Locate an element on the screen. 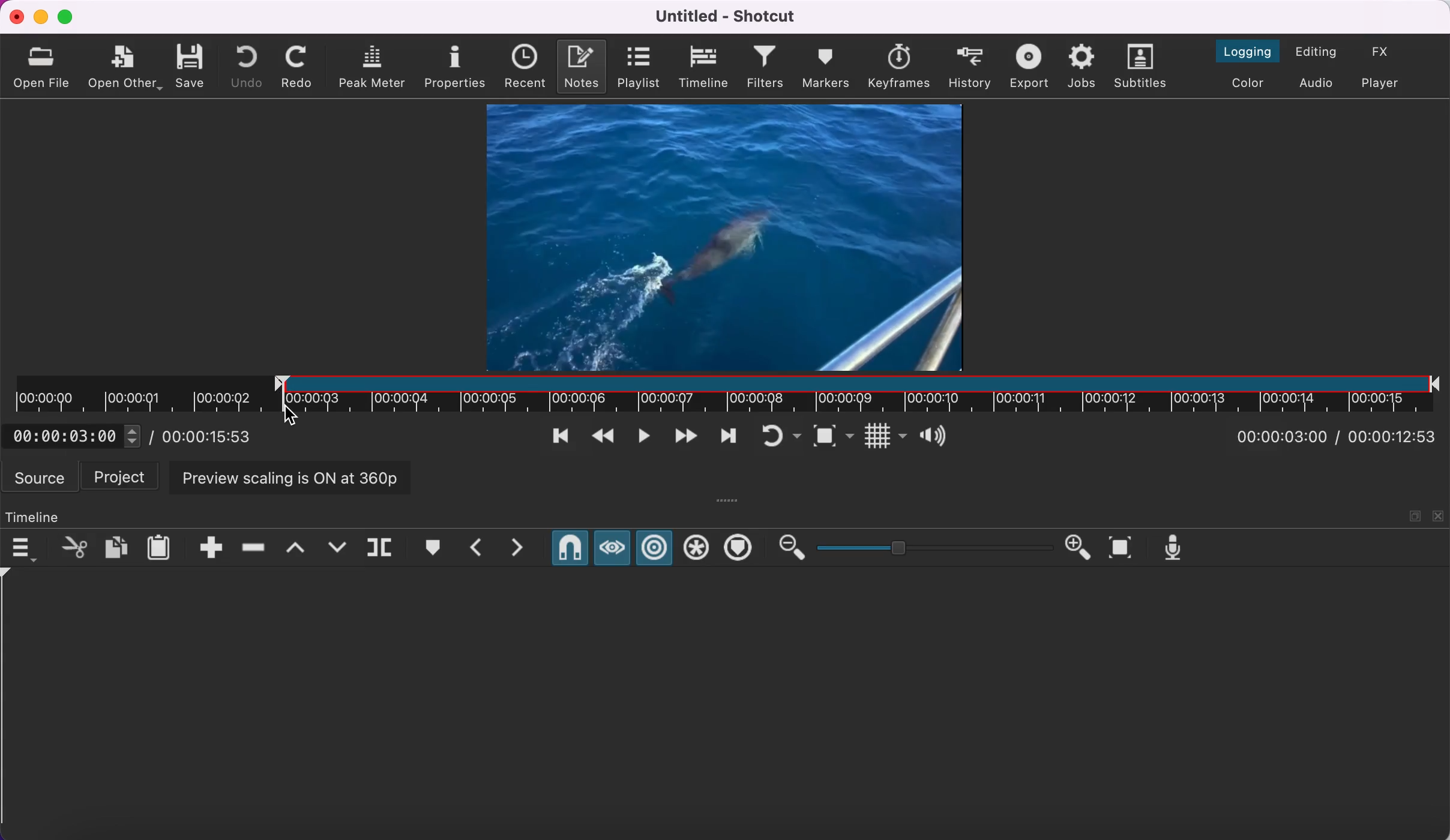  export is located at coordinates (1027, 67).